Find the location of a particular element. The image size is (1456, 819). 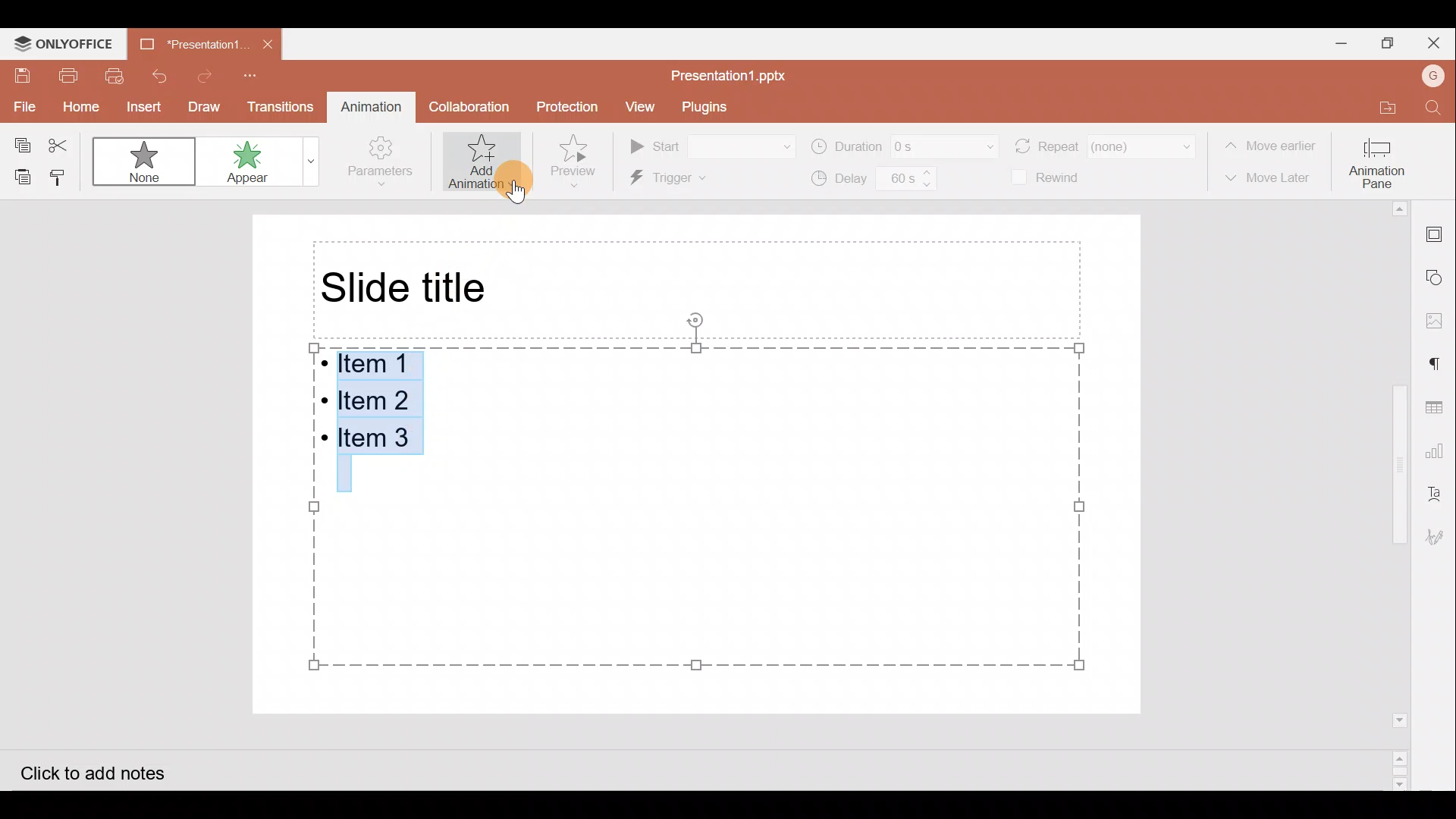

Slide title is located at coordinates (409, 287).